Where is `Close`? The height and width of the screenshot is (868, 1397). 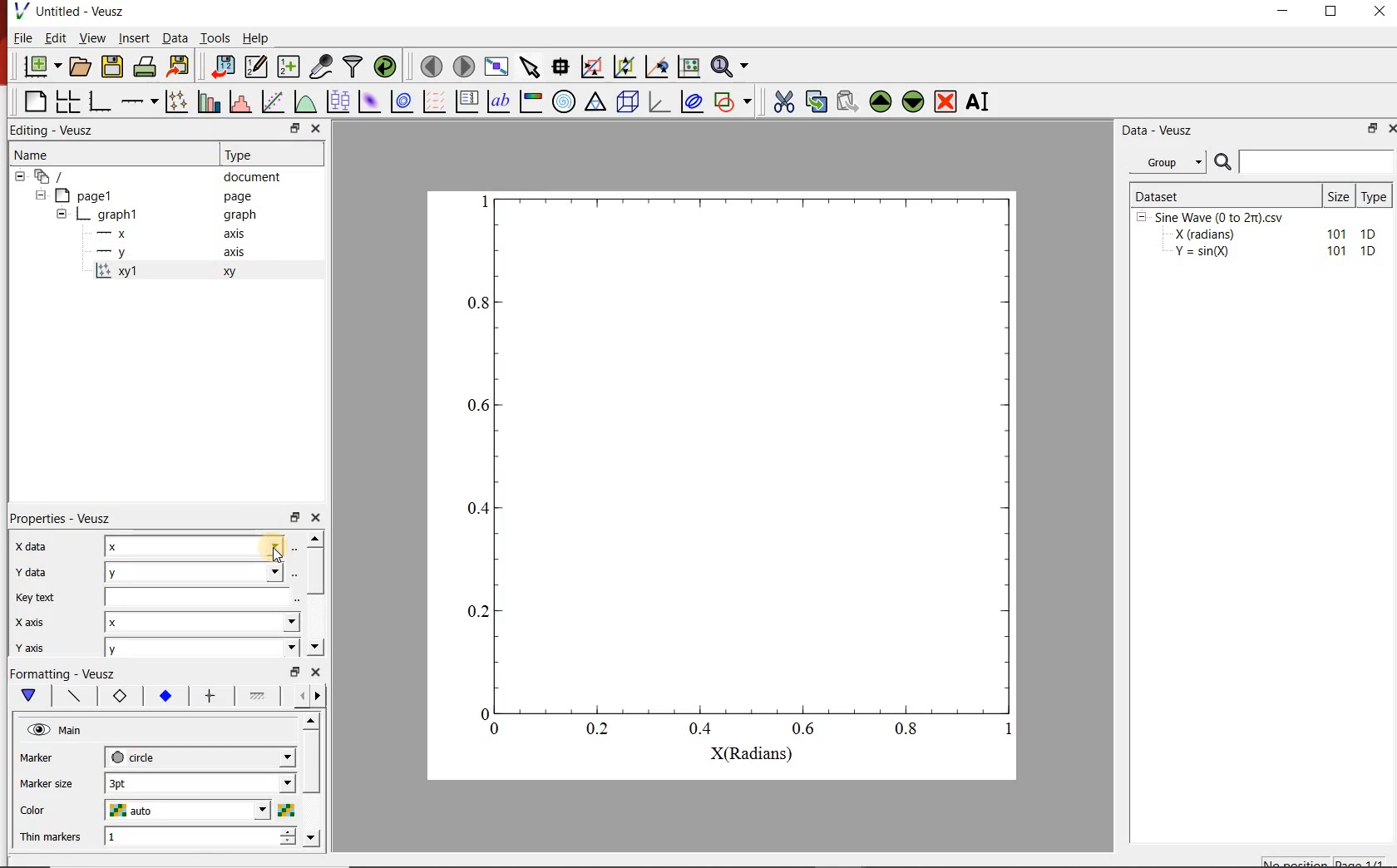
Close is located at coordinates (317, 672).